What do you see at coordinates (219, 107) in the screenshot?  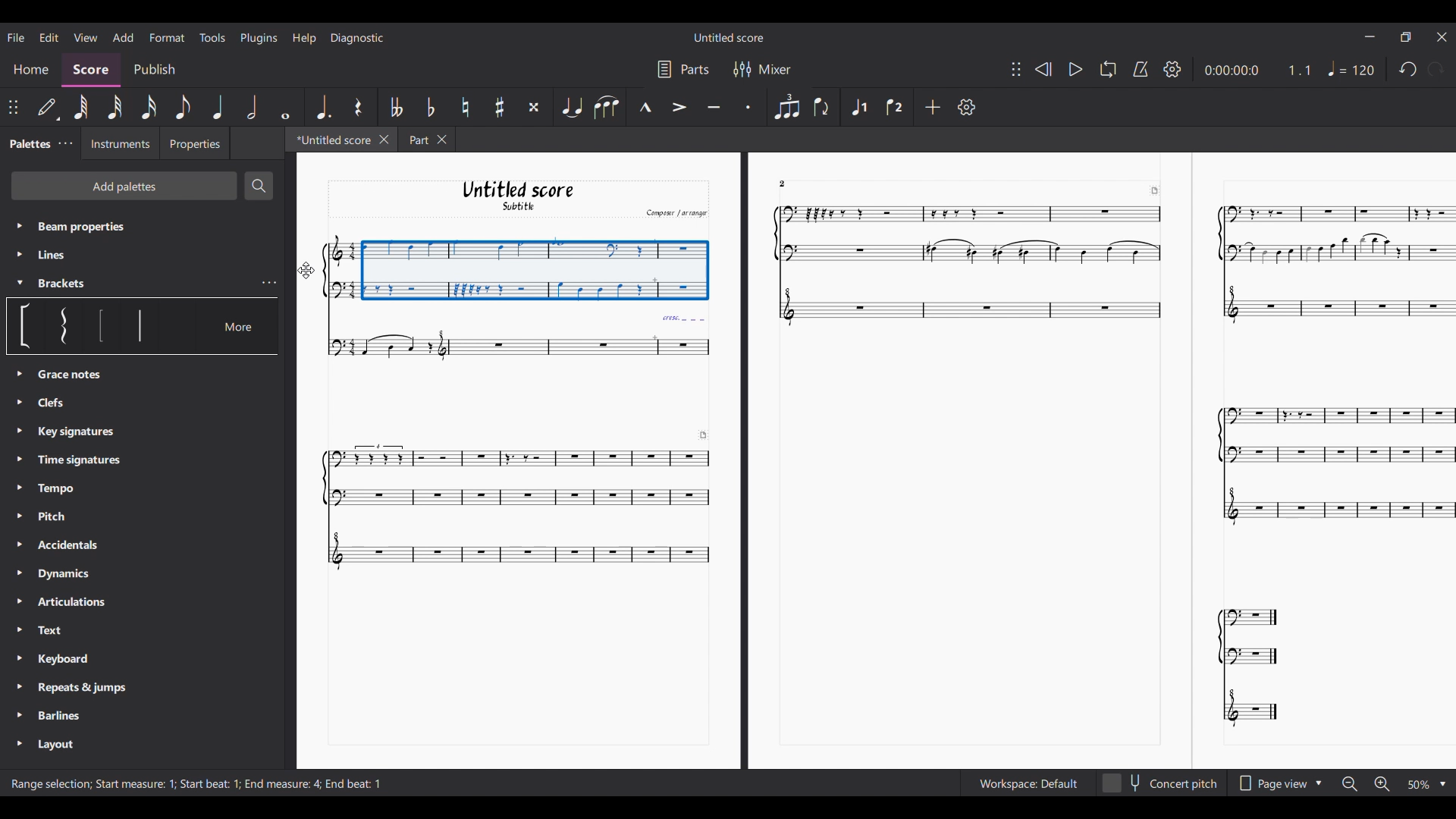 I see `Quarter note` at bounding box center [219, 107].